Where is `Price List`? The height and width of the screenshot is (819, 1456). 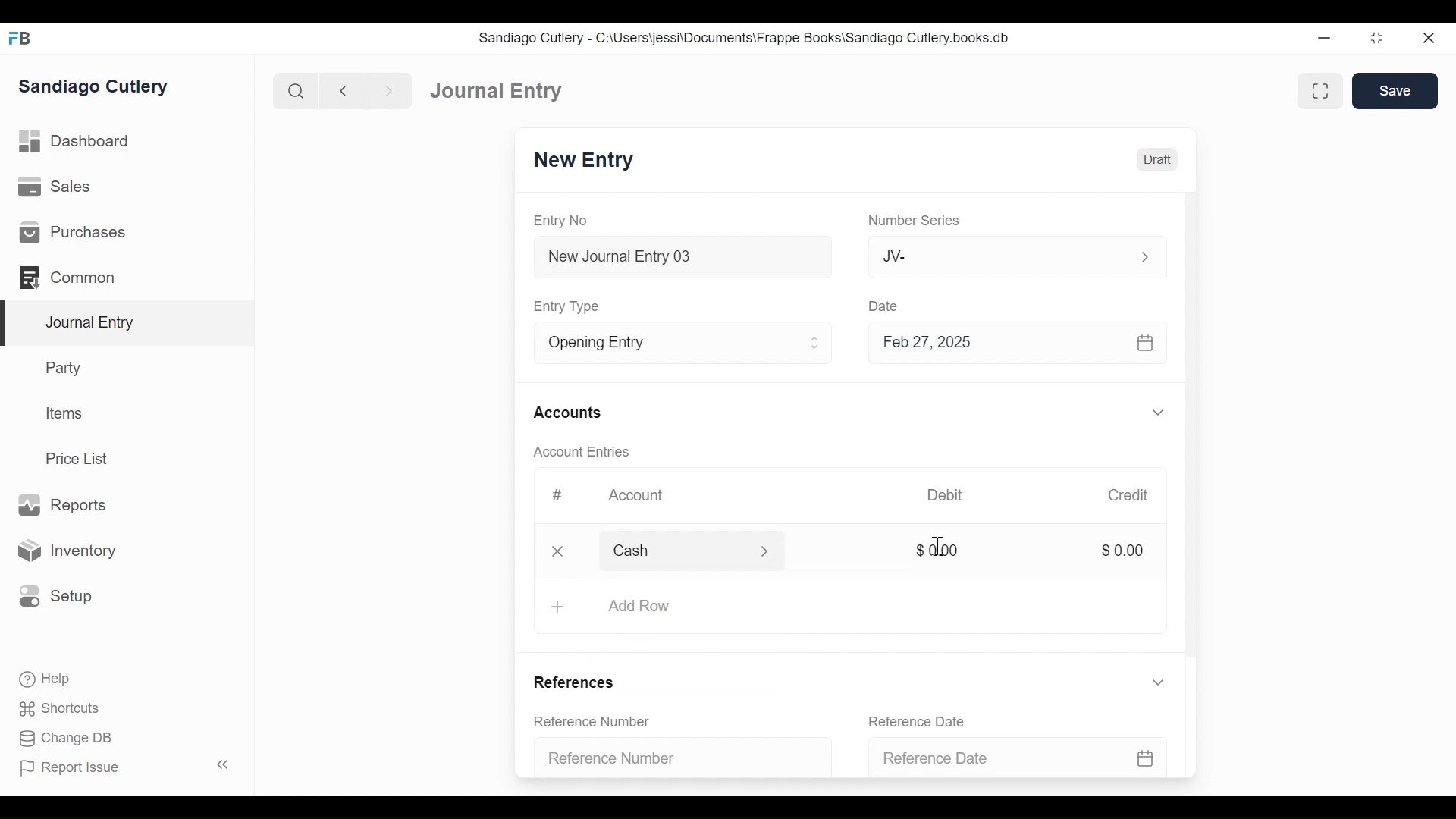
Price List is located at coordinates (80, 458).